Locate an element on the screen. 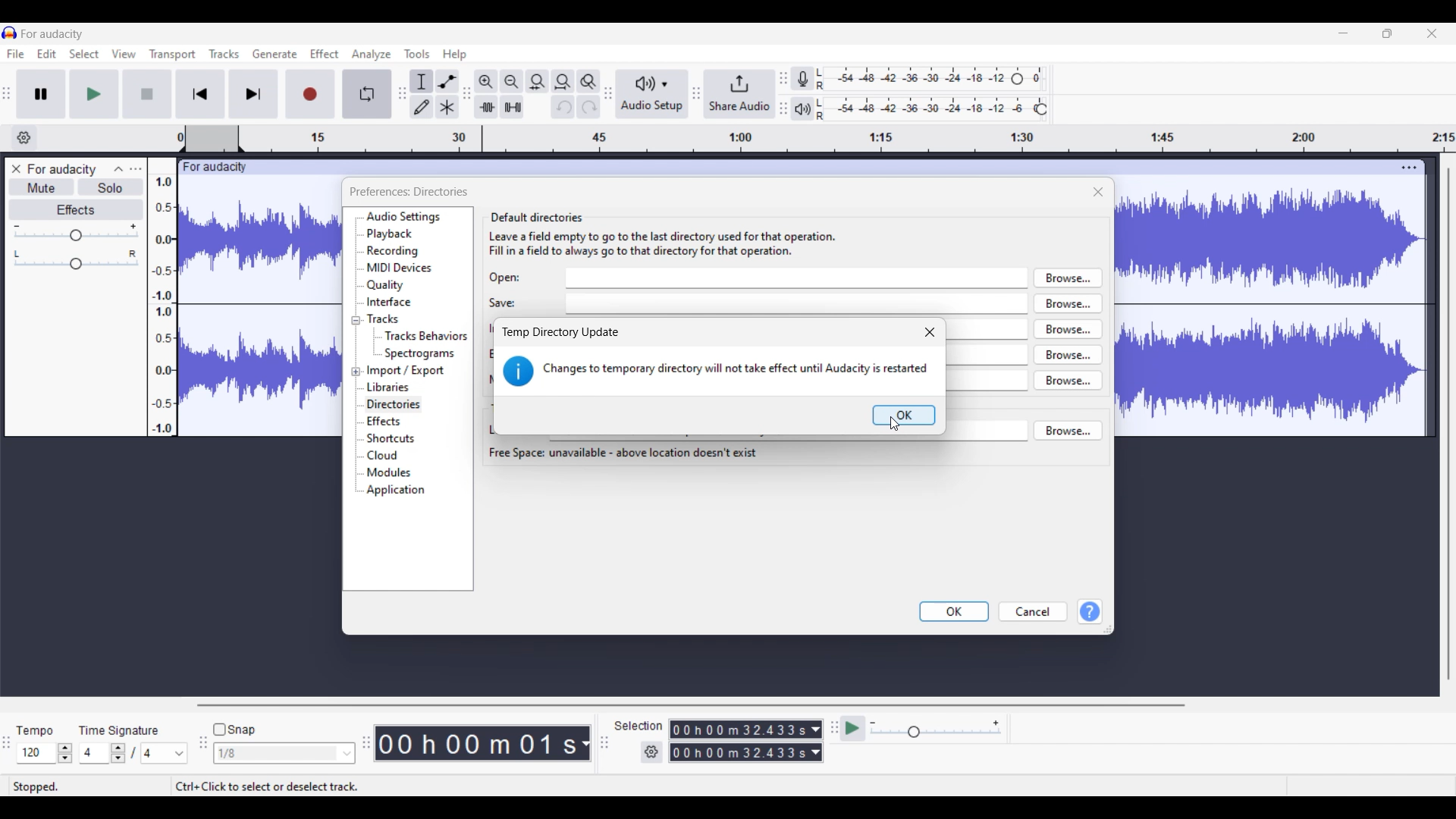 Image resolution: width=1456 pixels, height=819 pixels. Play at speed/Play at speed once is located at coordinates (853, 729).